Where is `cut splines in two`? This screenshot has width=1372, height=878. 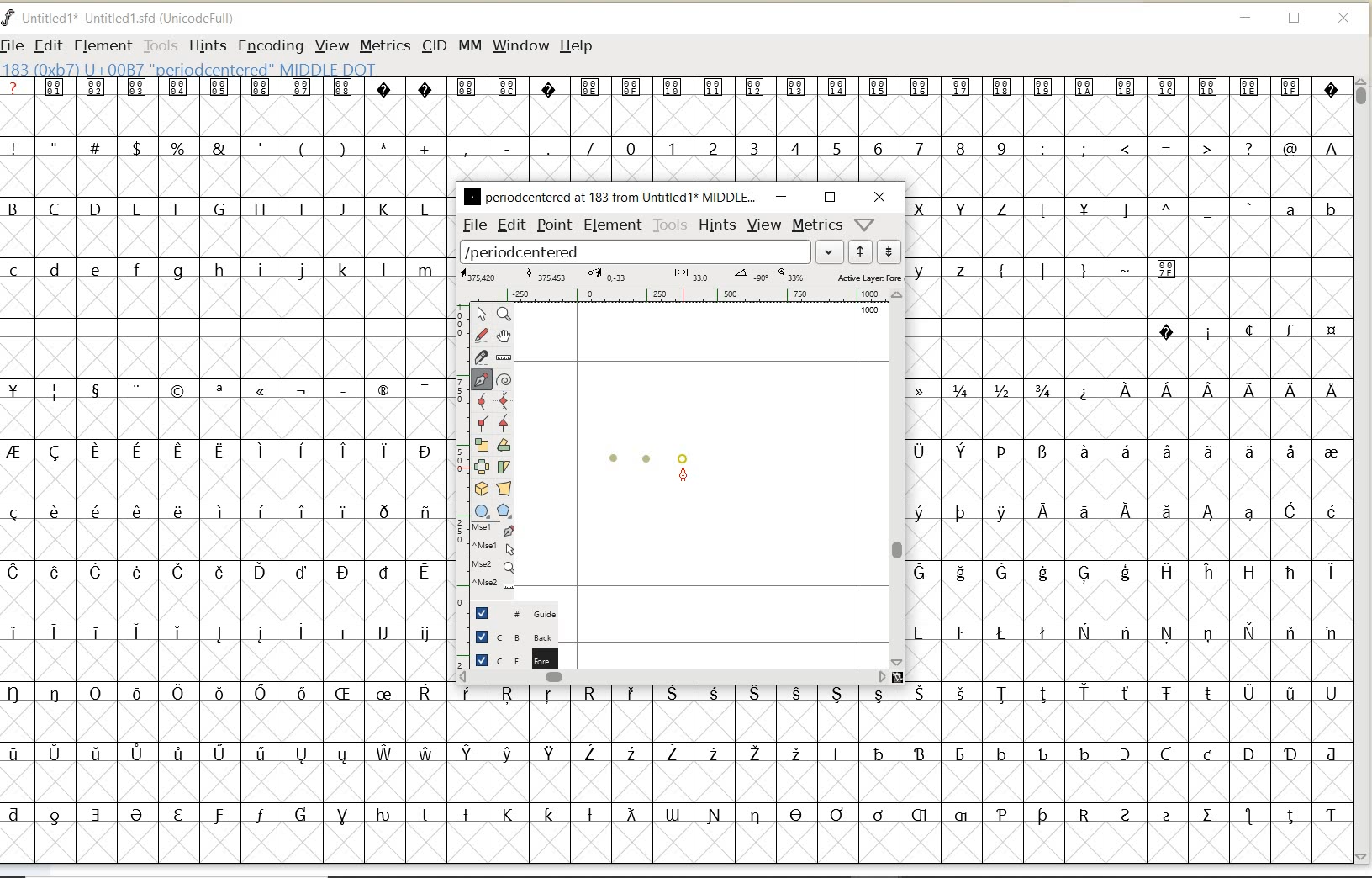
cut splines in two is located at coordinates (481, 357).